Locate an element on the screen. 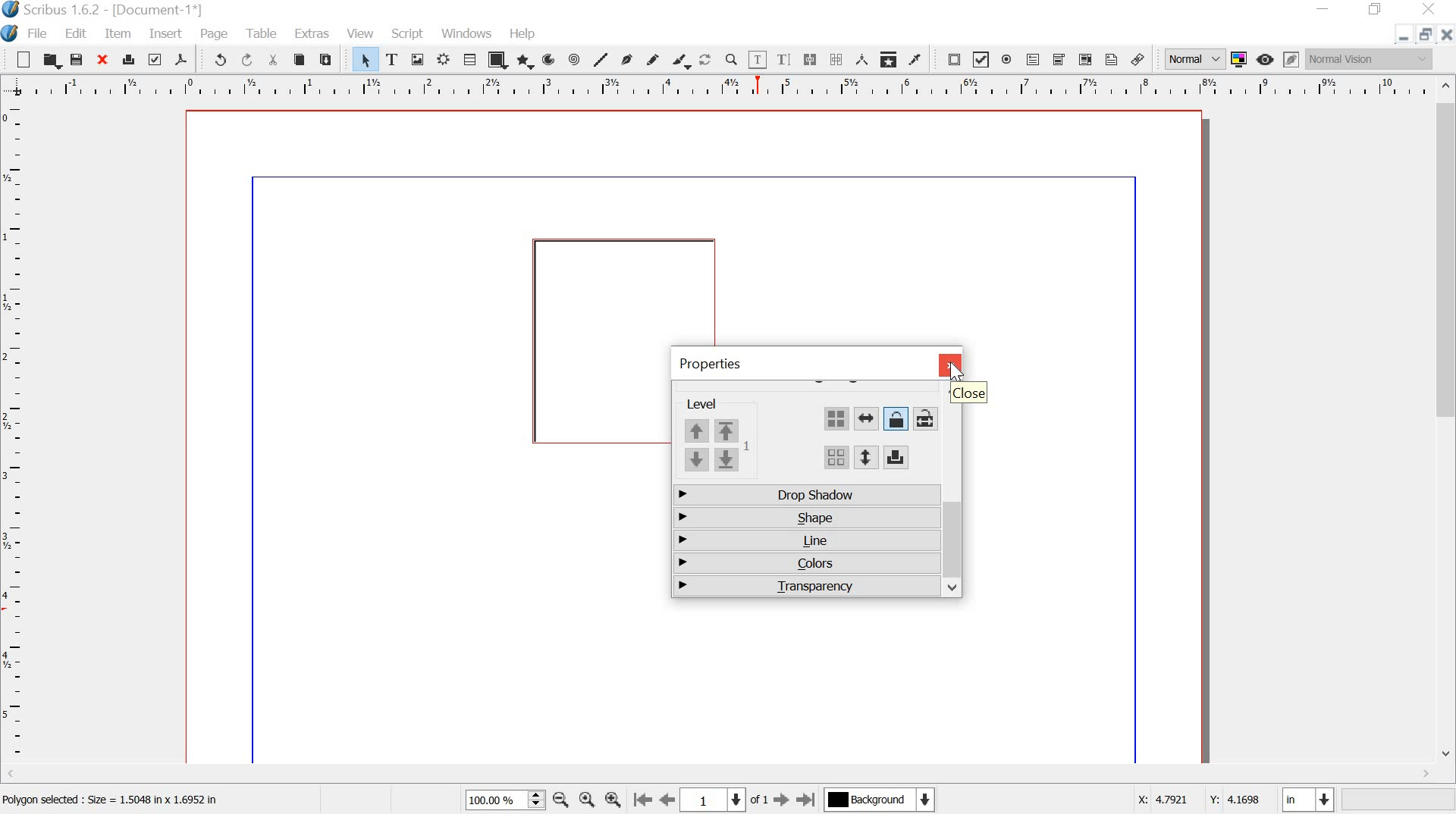 This screenshot has height=814, width=1456. go to first page is located at coordinates (642, 800).